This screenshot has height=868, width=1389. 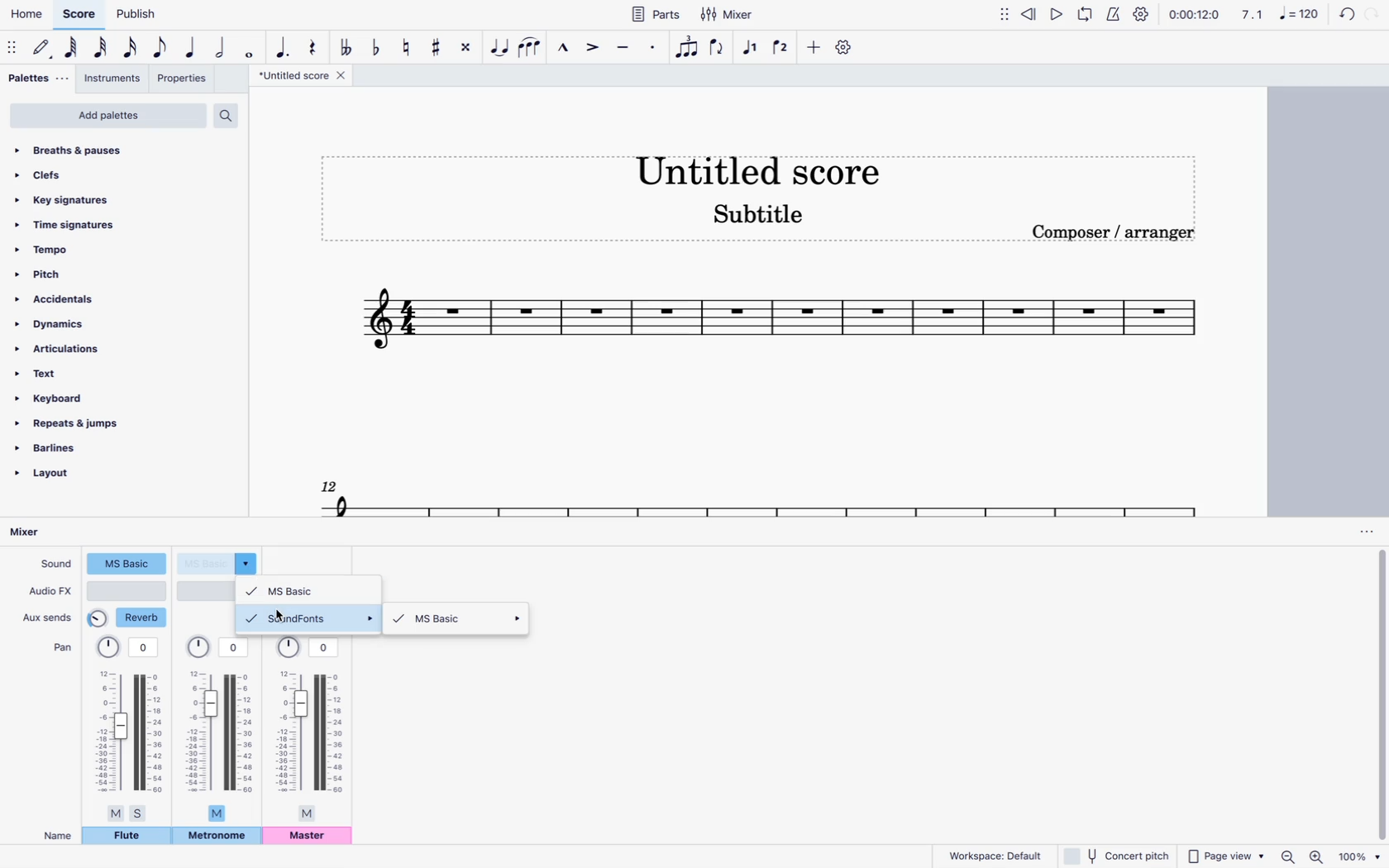 I want to click on augmentation dot, so click(x=281, y=43).